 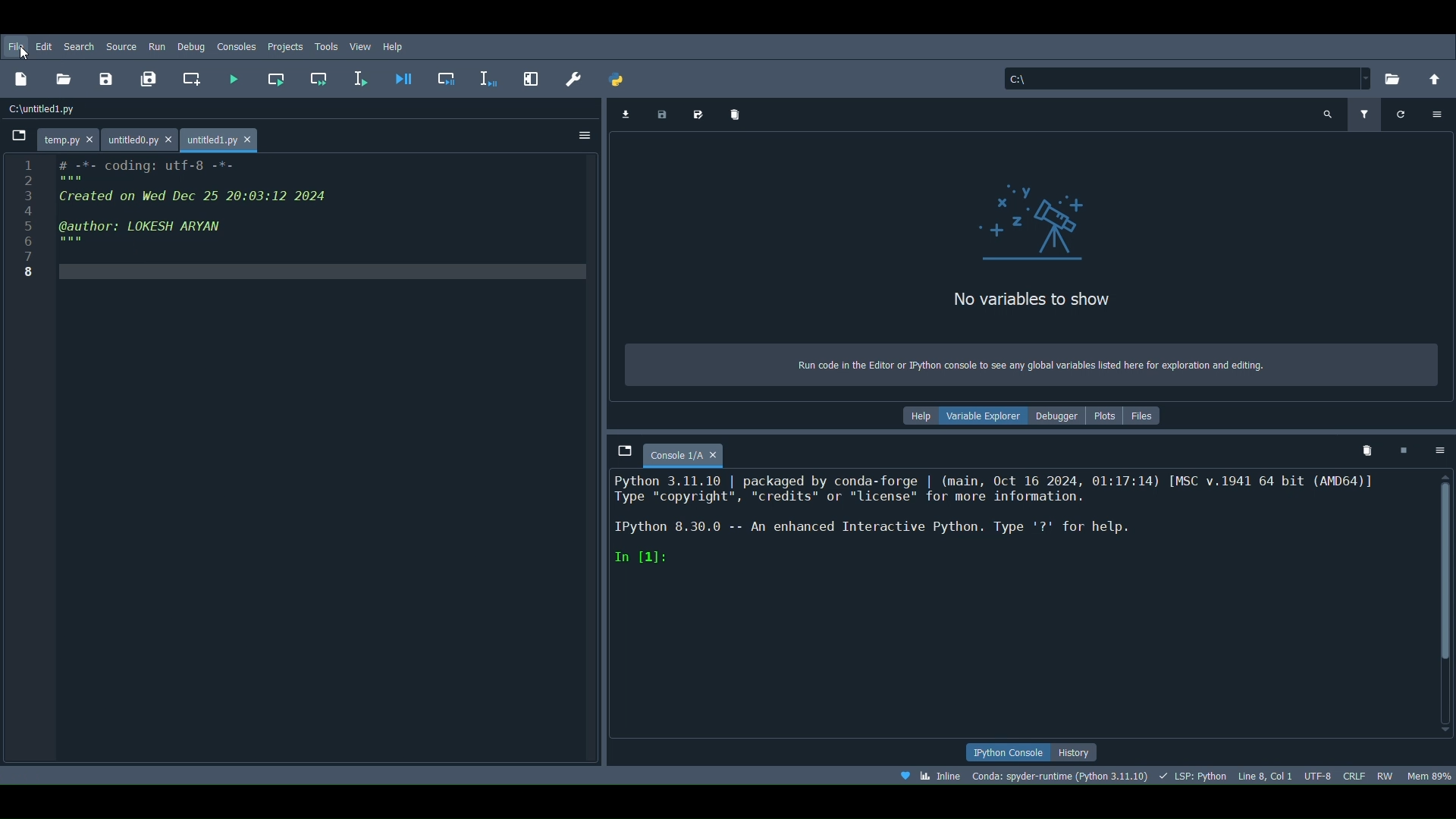 I want to click on Import data, so click(x=625, y=114).